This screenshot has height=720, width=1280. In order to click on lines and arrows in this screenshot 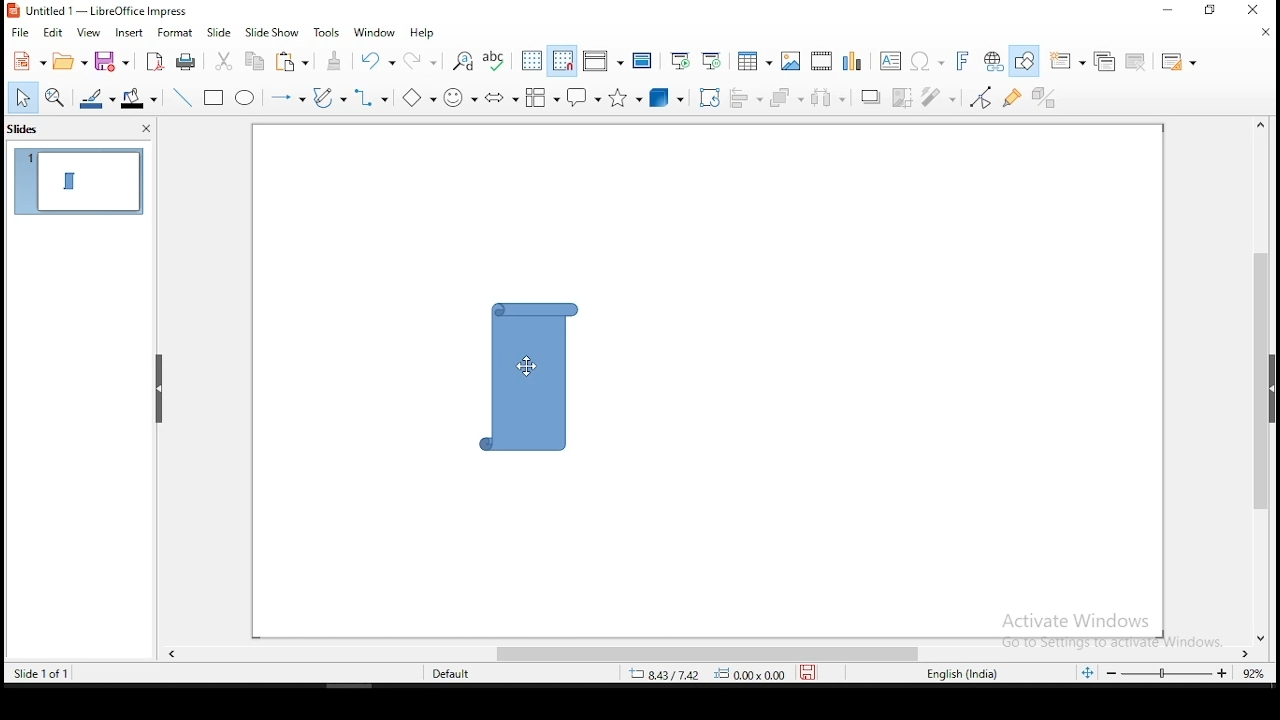, I will do `click(288, 96)`.